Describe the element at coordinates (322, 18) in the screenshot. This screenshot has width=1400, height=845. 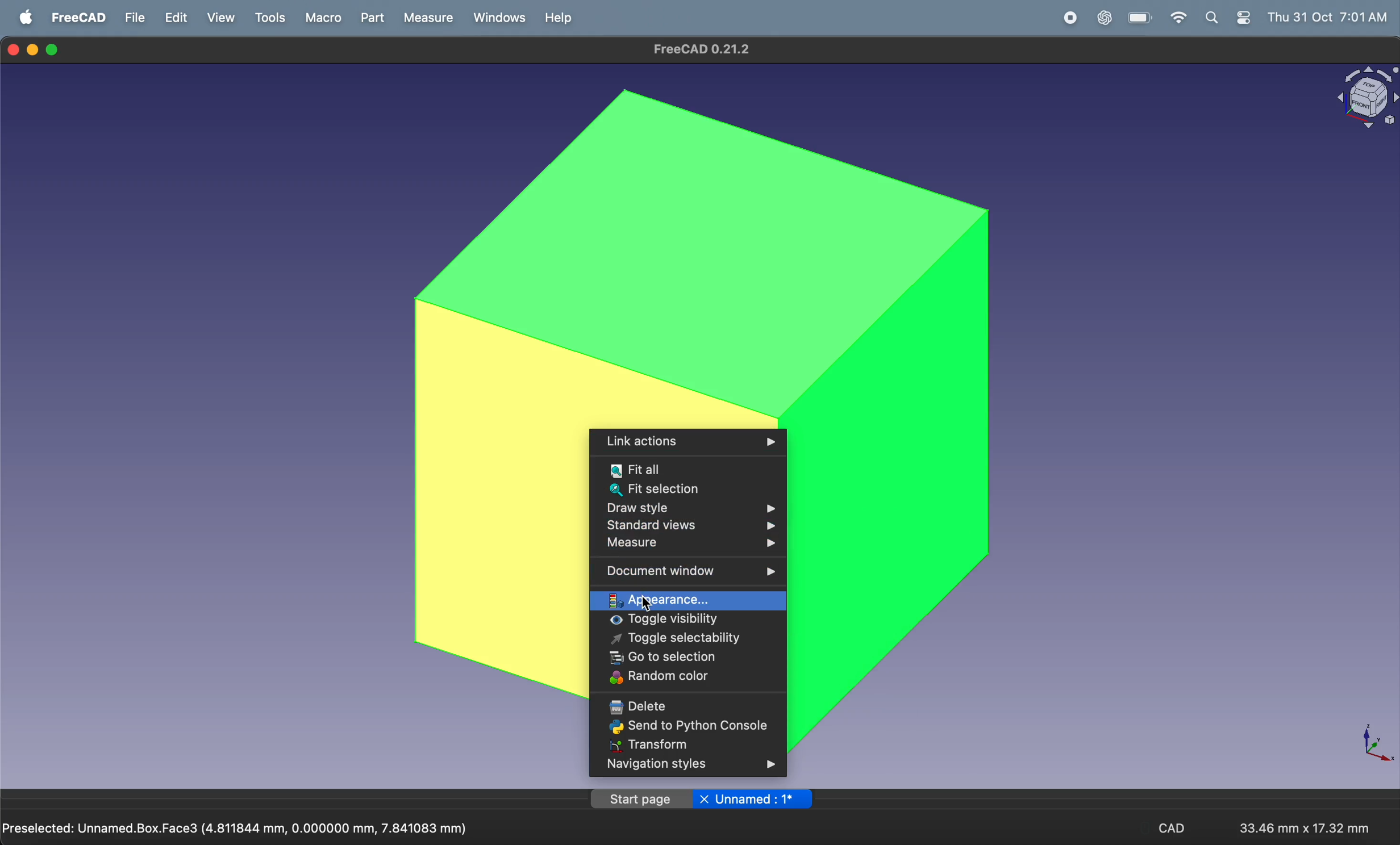
I see `marco` at that location.